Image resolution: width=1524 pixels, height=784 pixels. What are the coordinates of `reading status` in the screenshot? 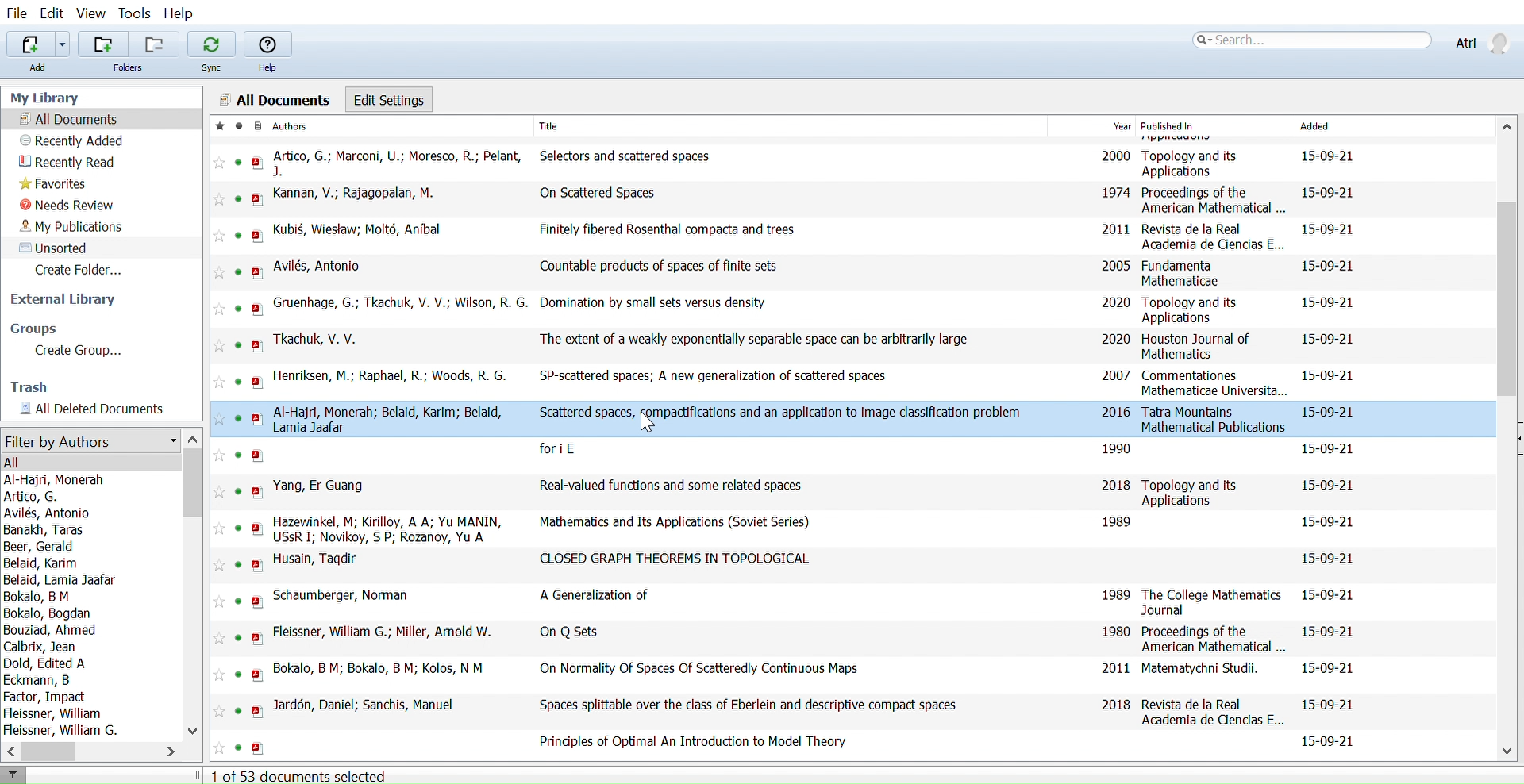 It's located at (237, 383).